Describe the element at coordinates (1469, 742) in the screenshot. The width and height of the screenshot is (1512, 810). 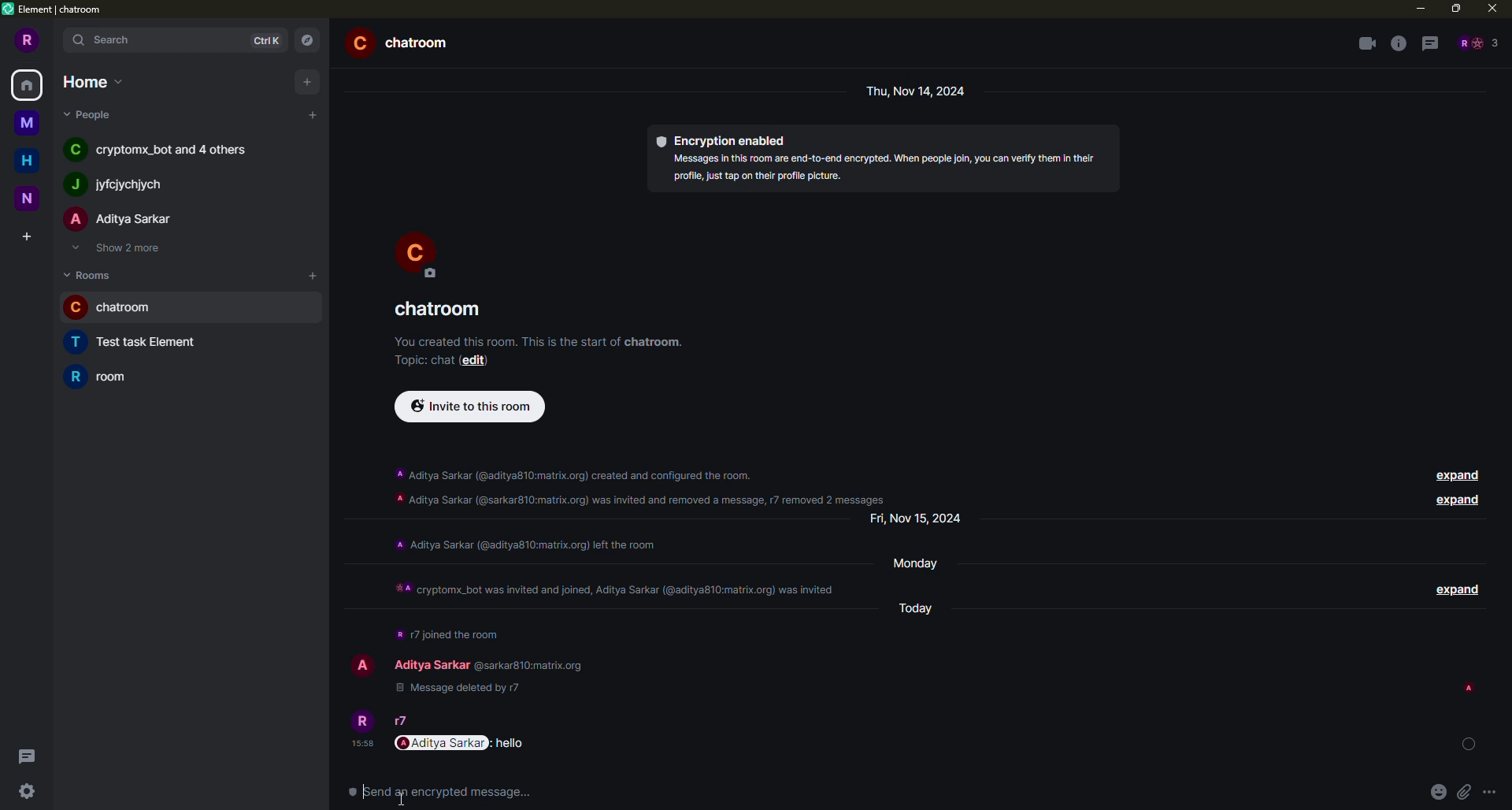
I see `status` at that location.